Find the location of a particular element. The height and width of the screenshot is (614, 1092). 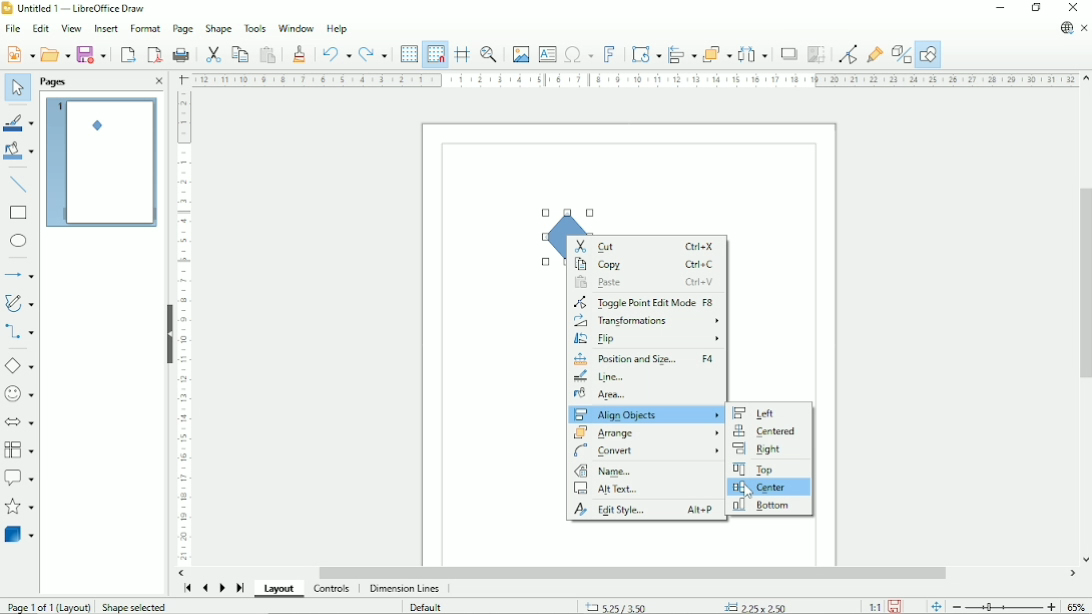

Update available is located at coordinates (1065, 28).